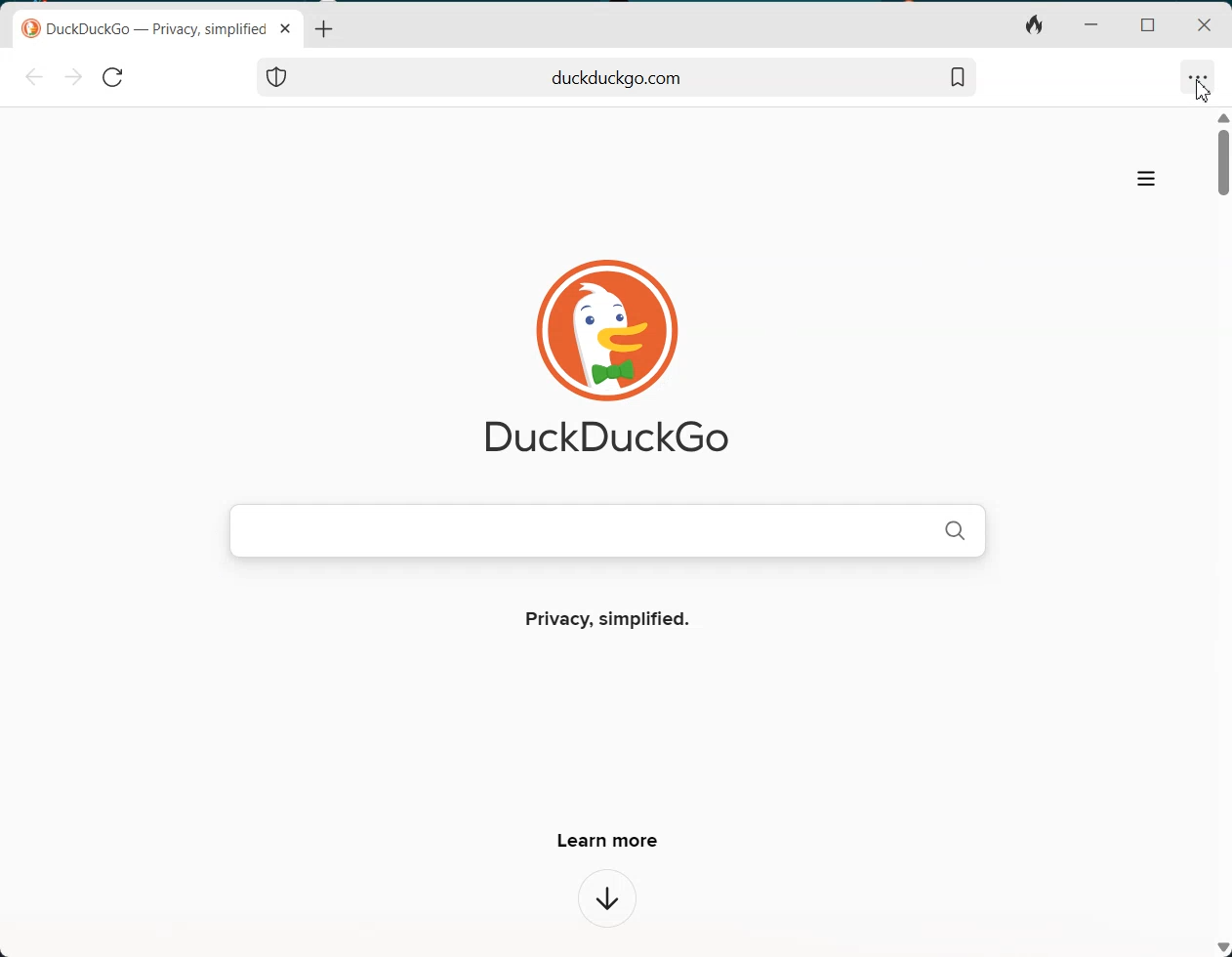 Image resolution: width=1232 pixels, height=957 pixels. Describe the element at coordinates (606, 529) in the screenshot. I see `Search Bar` at that location.